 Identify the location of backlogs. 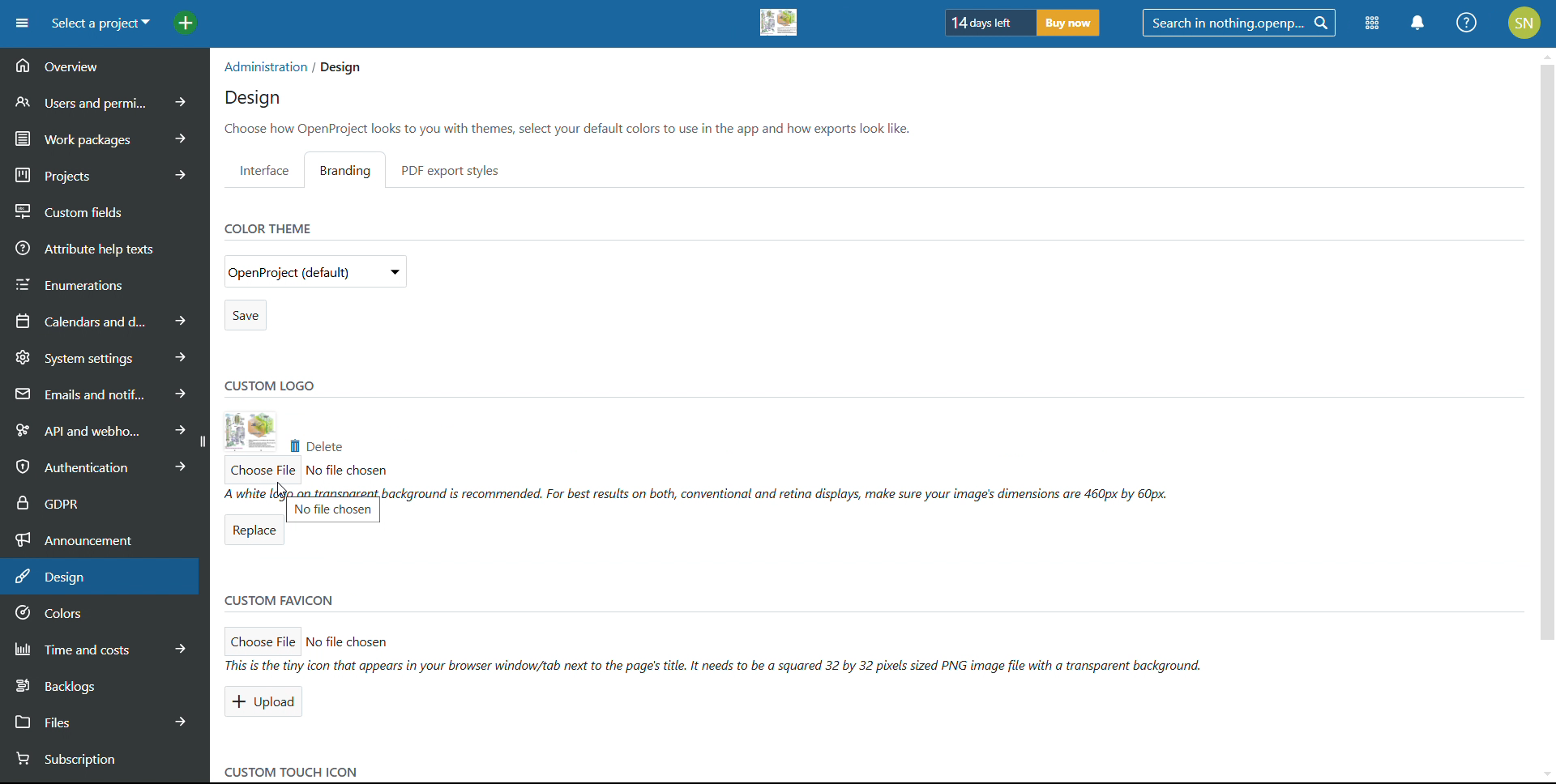
(102, 684).